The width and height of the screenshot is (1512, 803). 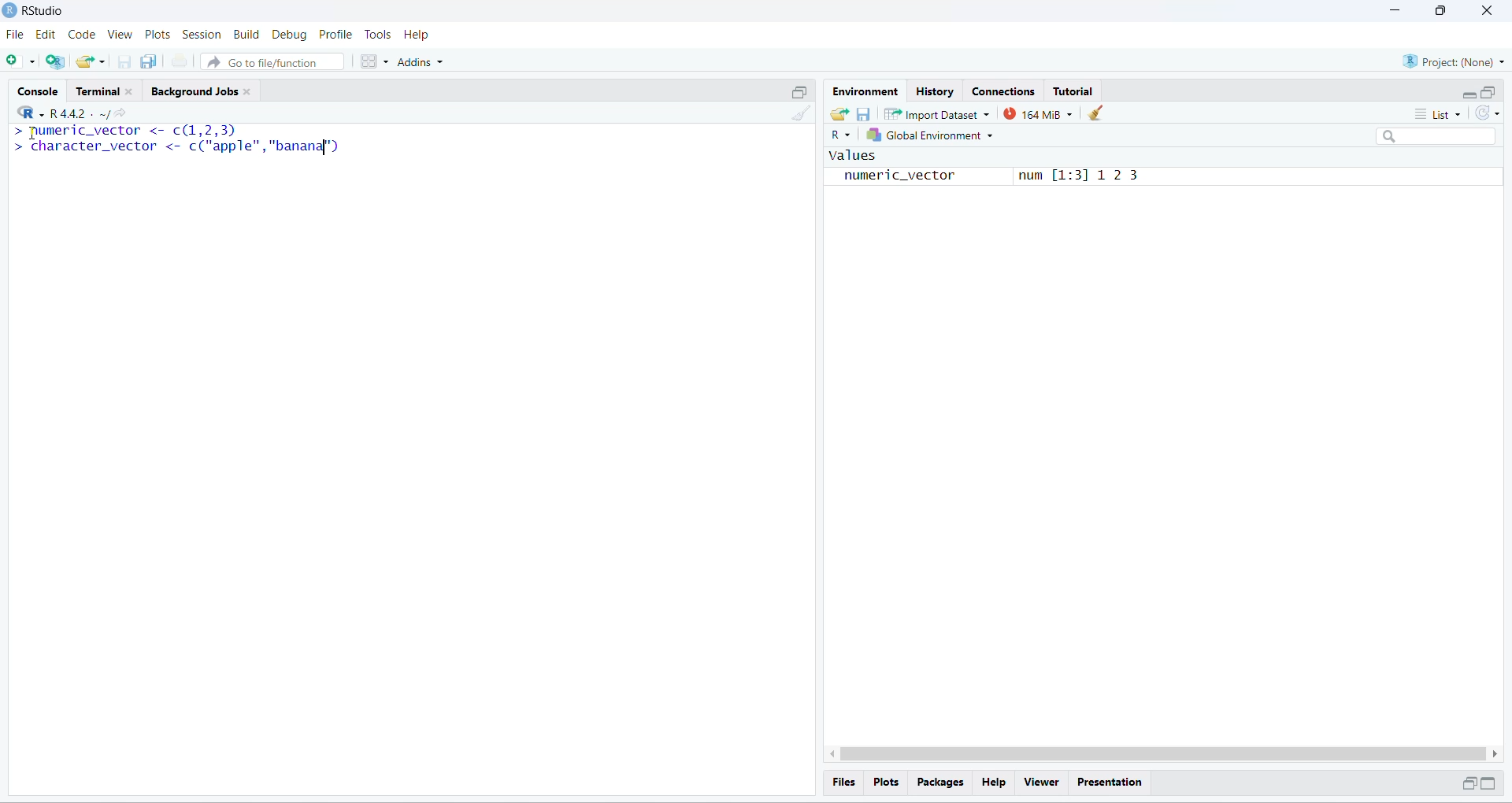 What do you see at coordinates (159, 35) in the screenshot?
I see `Plots` at bounding box center [159, 35].